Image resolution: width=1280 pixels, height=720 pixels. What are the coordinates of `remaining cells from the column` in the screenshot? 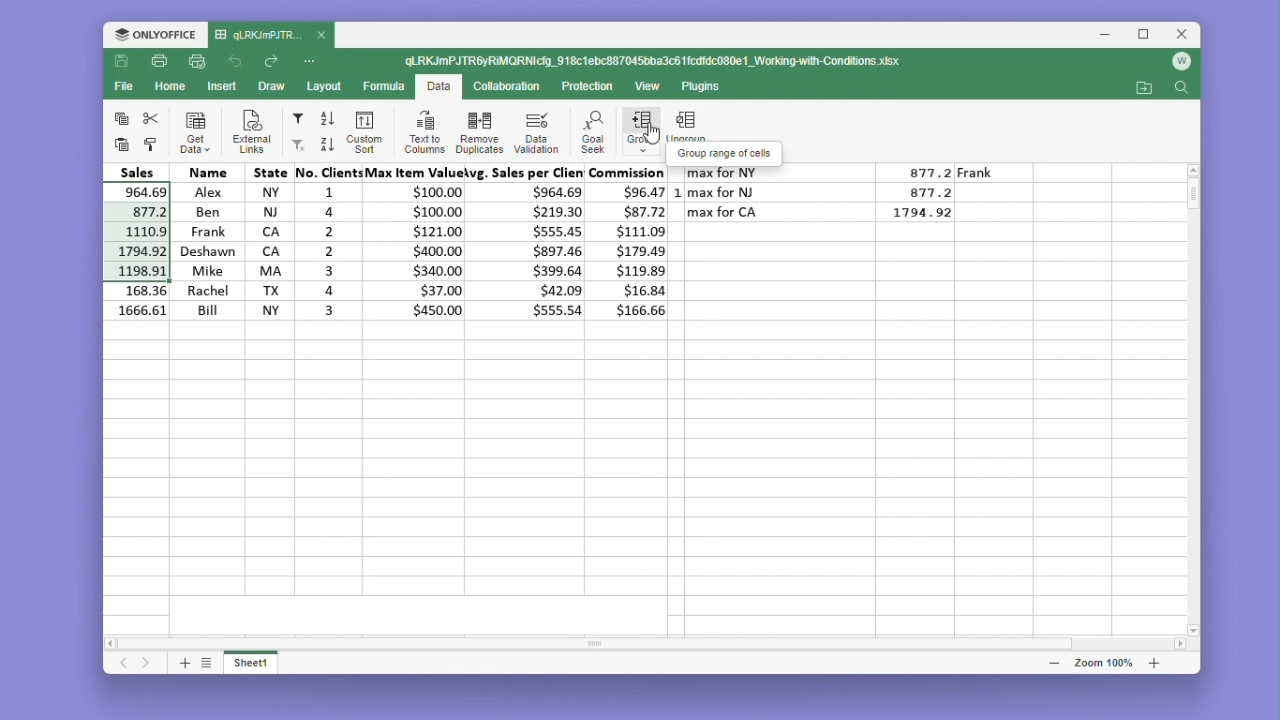 It's located at (140, 303).